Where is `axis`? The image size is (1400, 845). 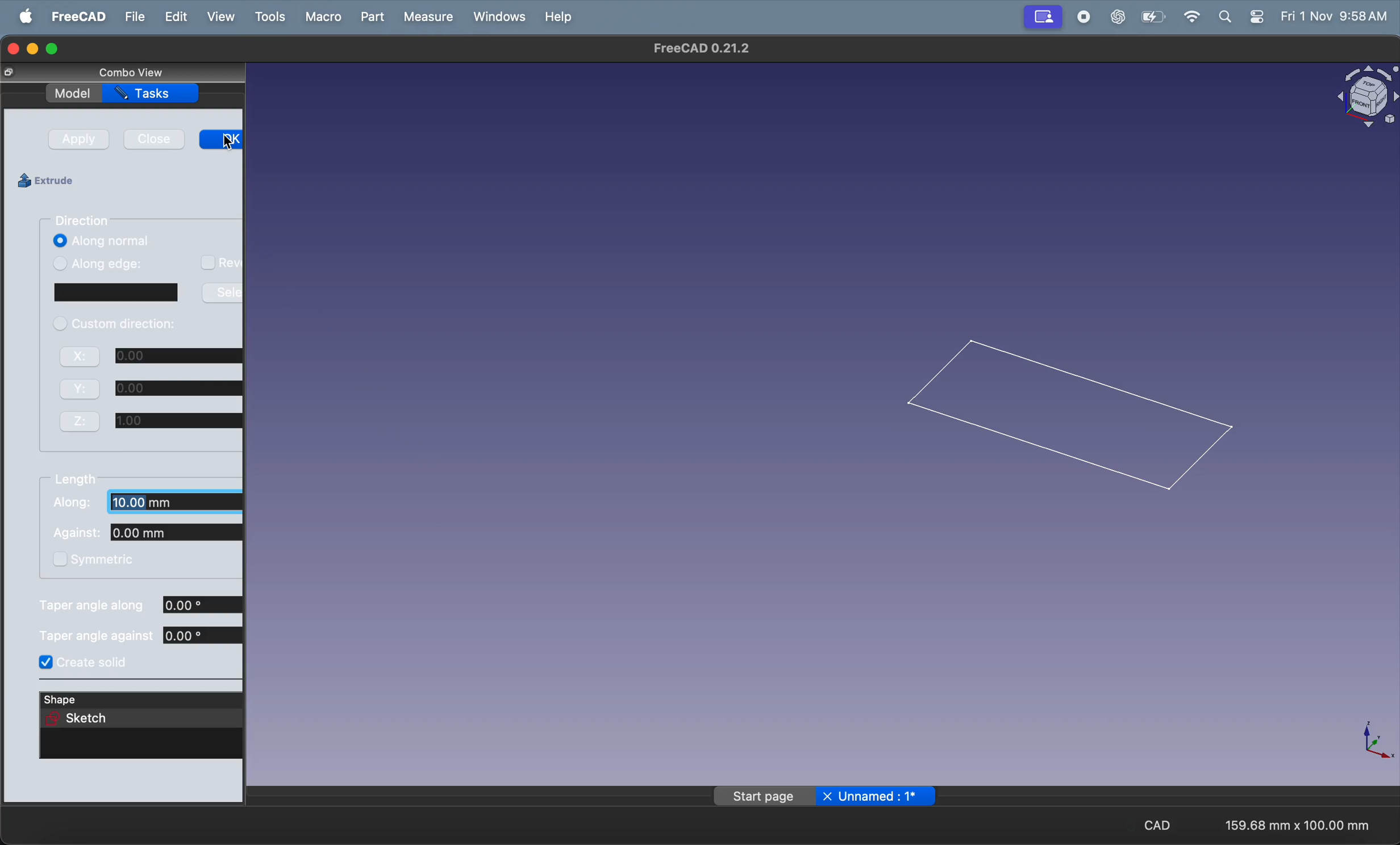
axis is located at coordinates (1370, 738).